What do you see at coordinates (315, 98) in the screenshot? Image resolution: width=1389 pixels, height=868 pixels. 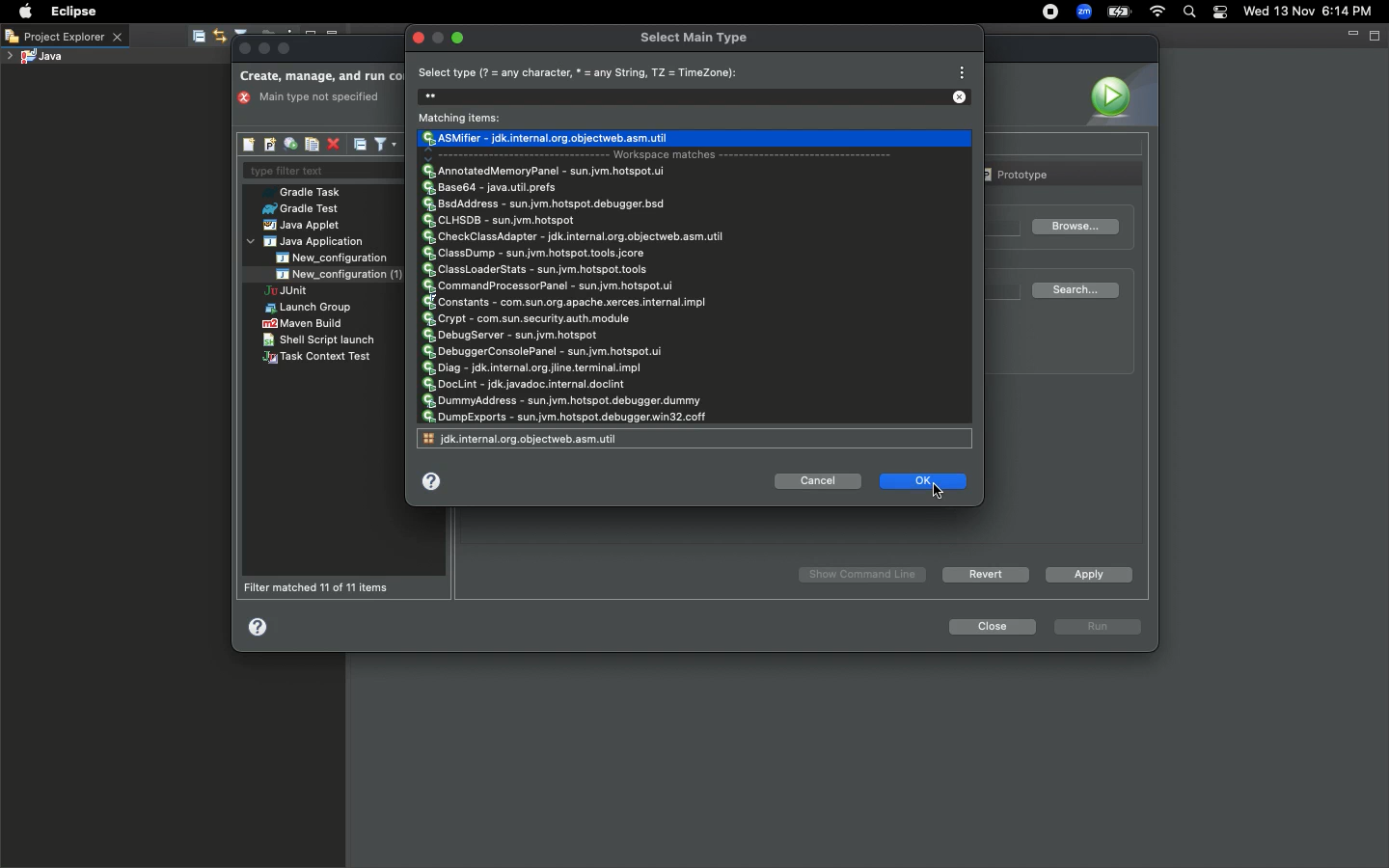 I see `main type not specified` at bounding box center [315, 98].